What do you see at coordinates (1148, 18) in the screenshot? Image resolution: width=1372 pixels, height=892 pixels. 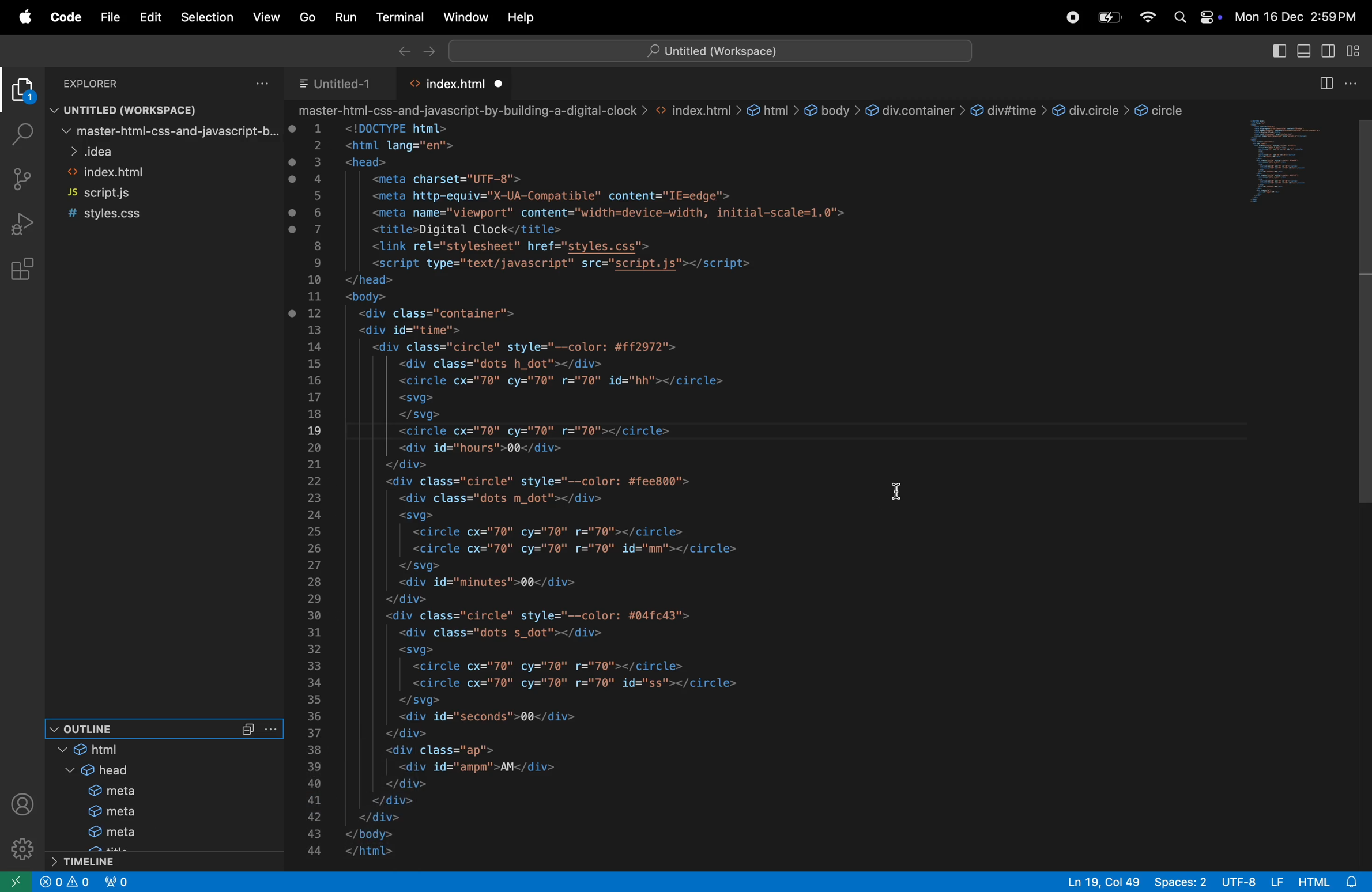 I see `wifi` at bounding box center [1148, 18].